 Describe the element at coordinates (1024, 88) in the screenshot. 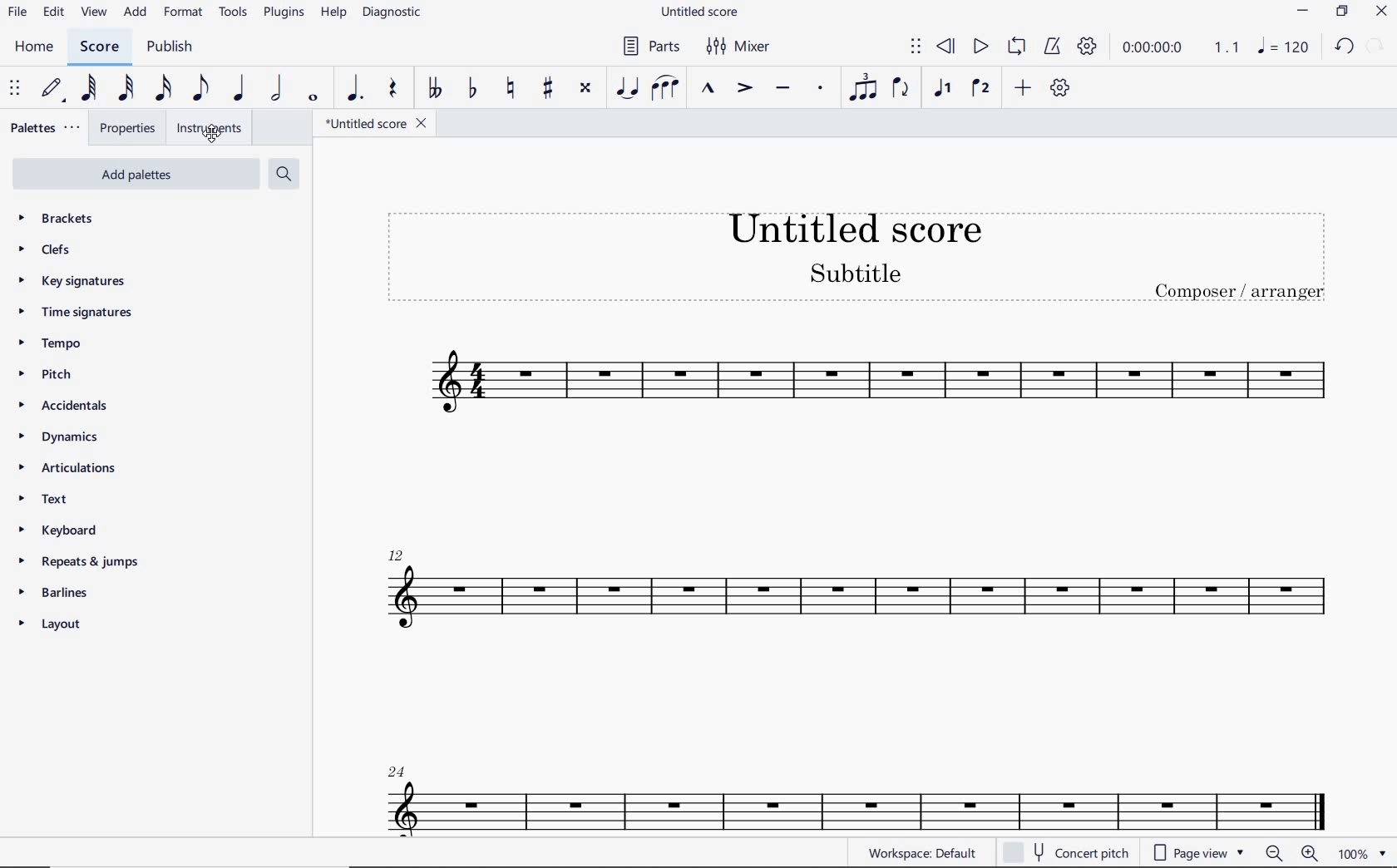

I see `ADD` at that location.